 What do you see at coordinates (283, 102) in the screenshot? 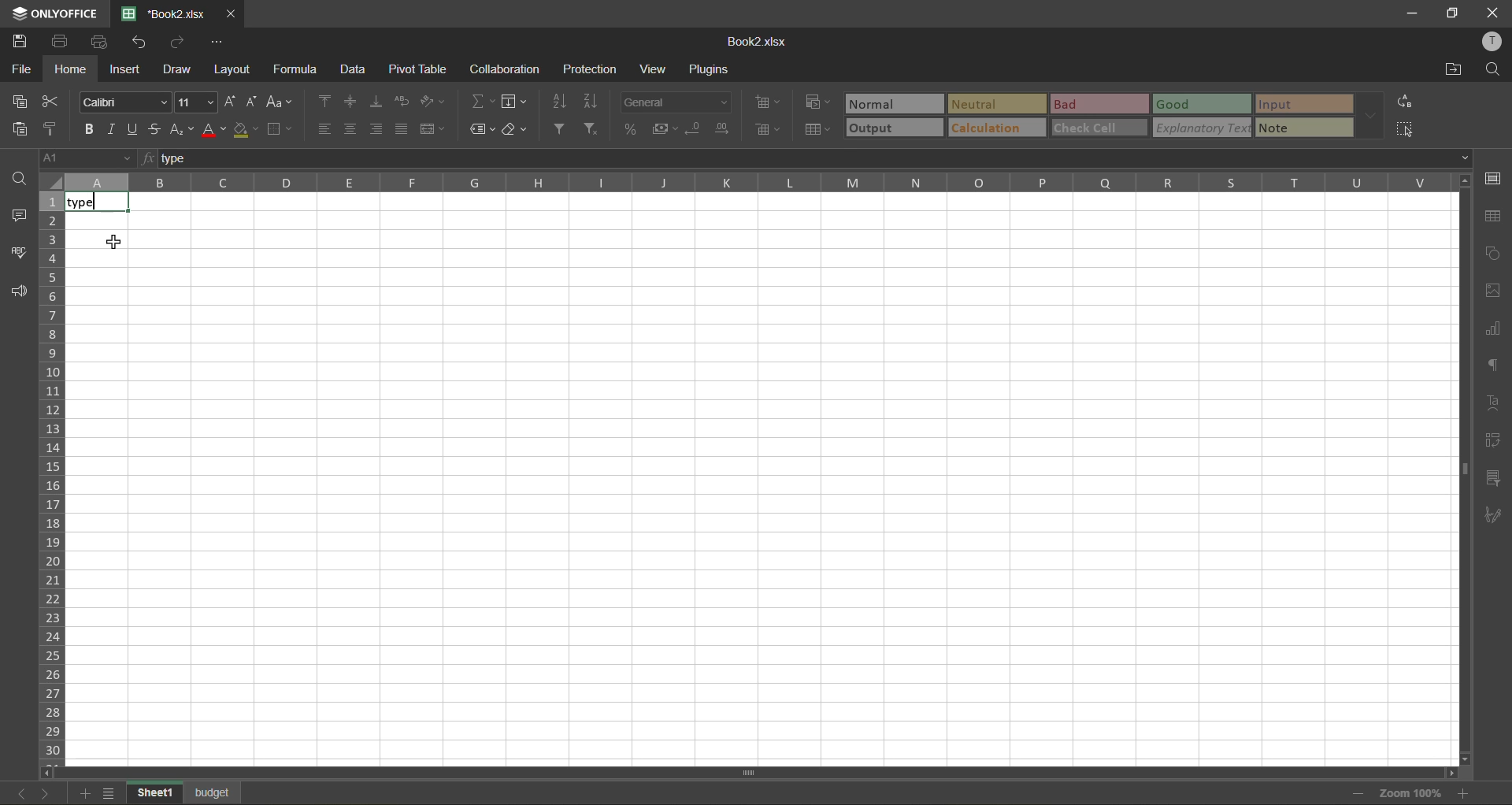
I see `change case` at bounding box center [283, 102].